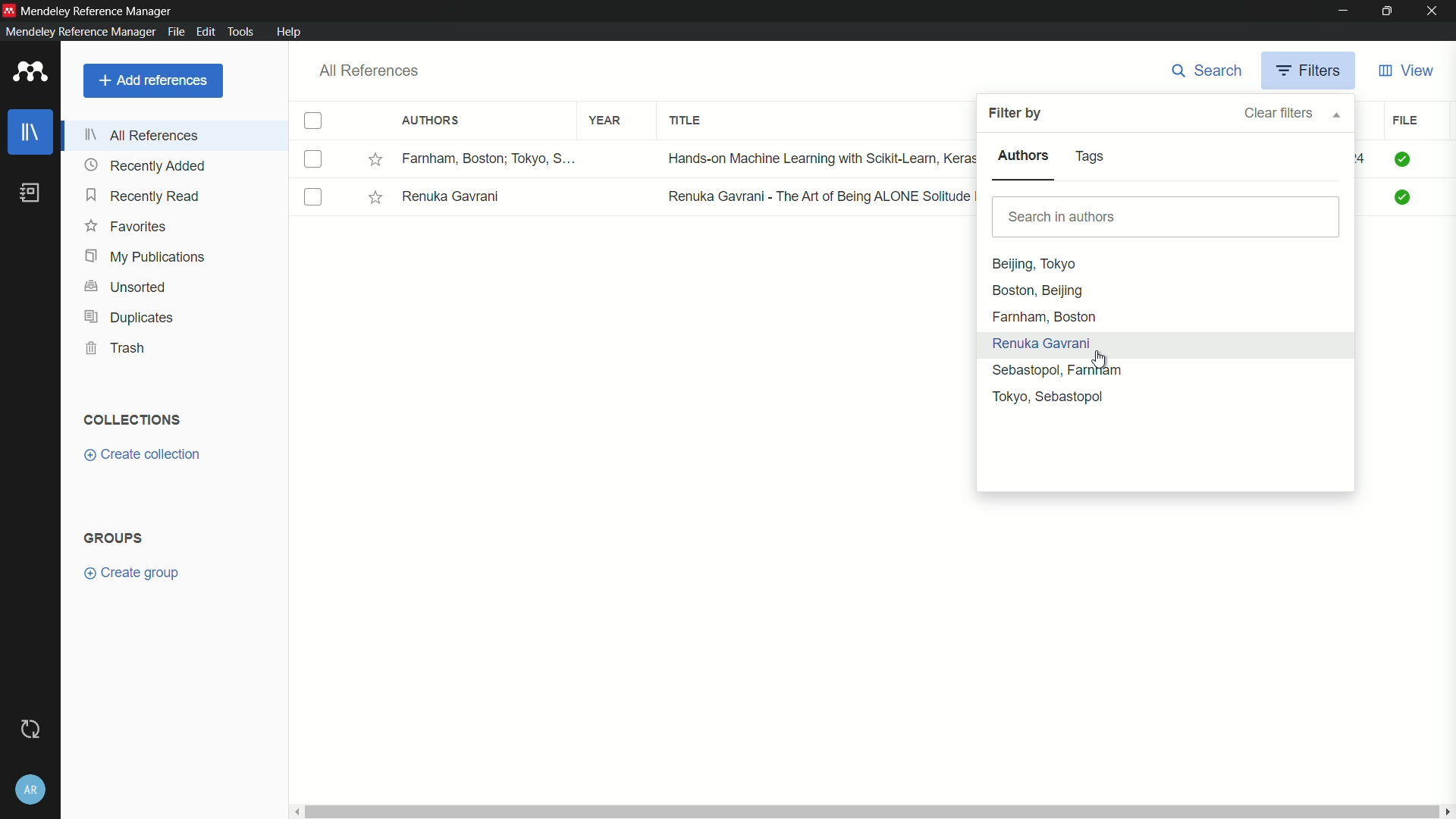 The width and height of the screenshot is (1456, 819). What do you see at coordinates (1409, 119) in the screenshot?
I see `file` at bounding box center [1409, 119].